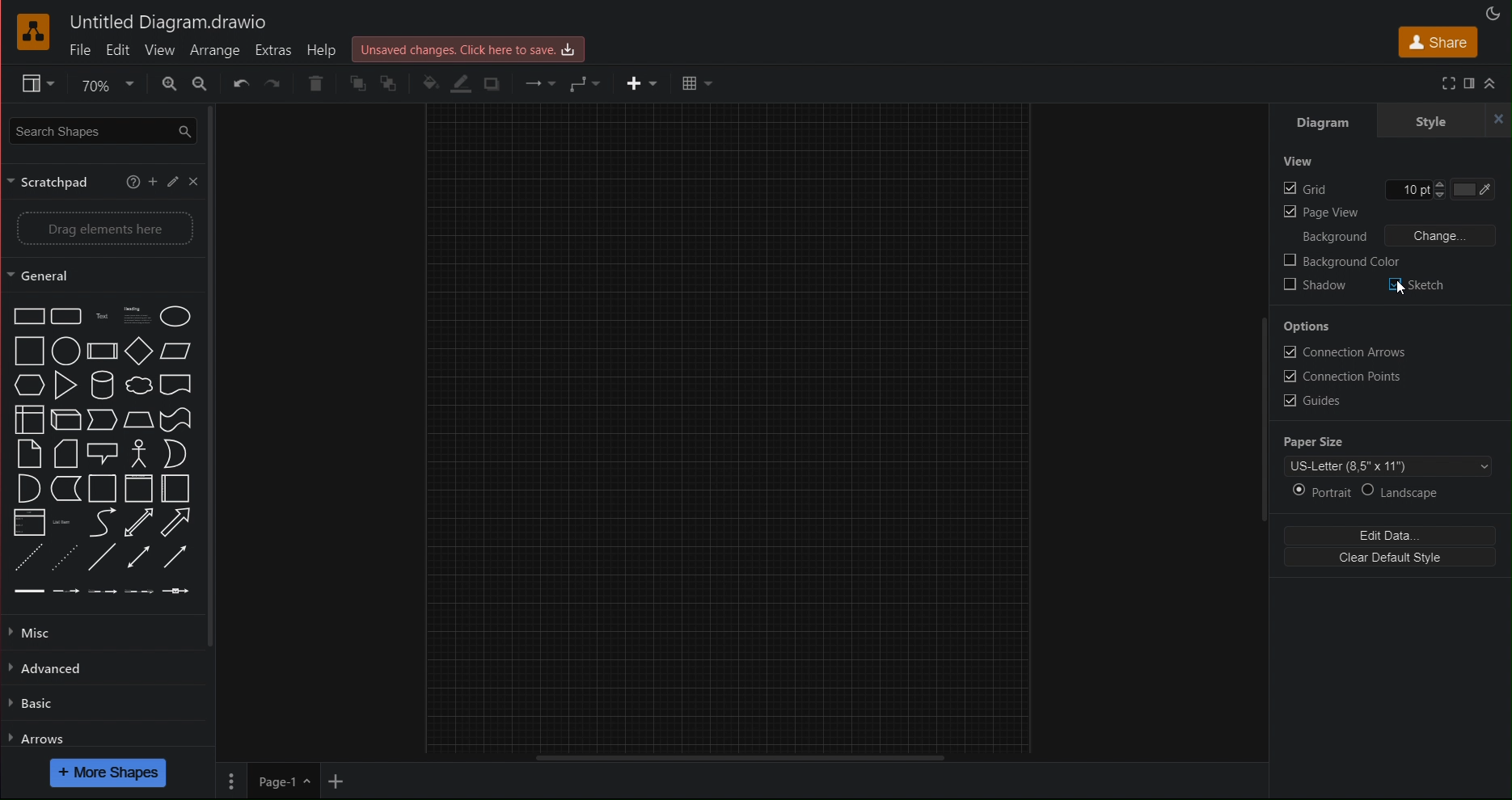 The width and height of the screenshot is (1512, 800). Describe the element at coordinates (489, 82) in the screenshot. I see `Shadow` at that location.